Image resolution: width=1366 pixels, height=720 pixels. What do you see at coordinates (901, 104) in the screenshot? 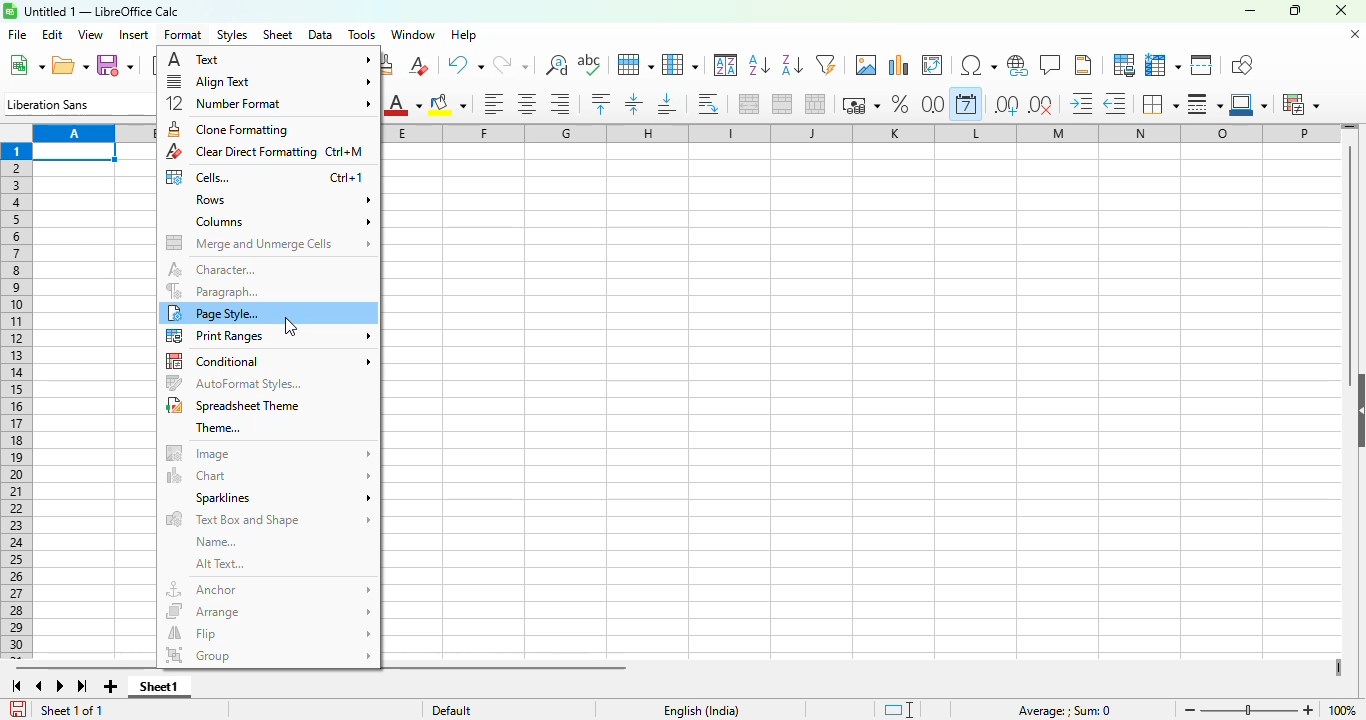
I see `format as percent` at bounding box center [901, 104].